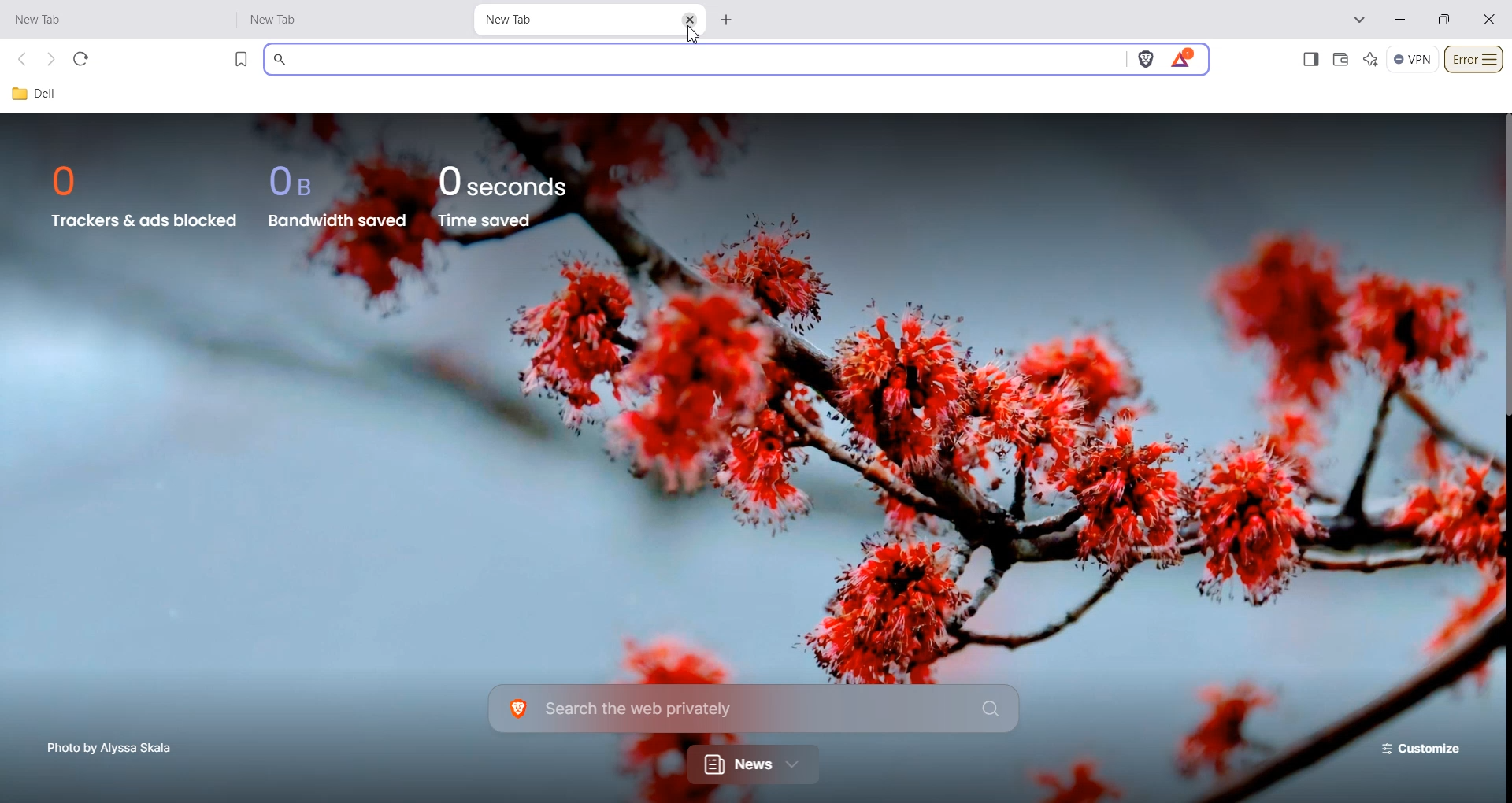  Describe the element at coordinates (24, 60) in the screenshot. I see `Back` at that location.